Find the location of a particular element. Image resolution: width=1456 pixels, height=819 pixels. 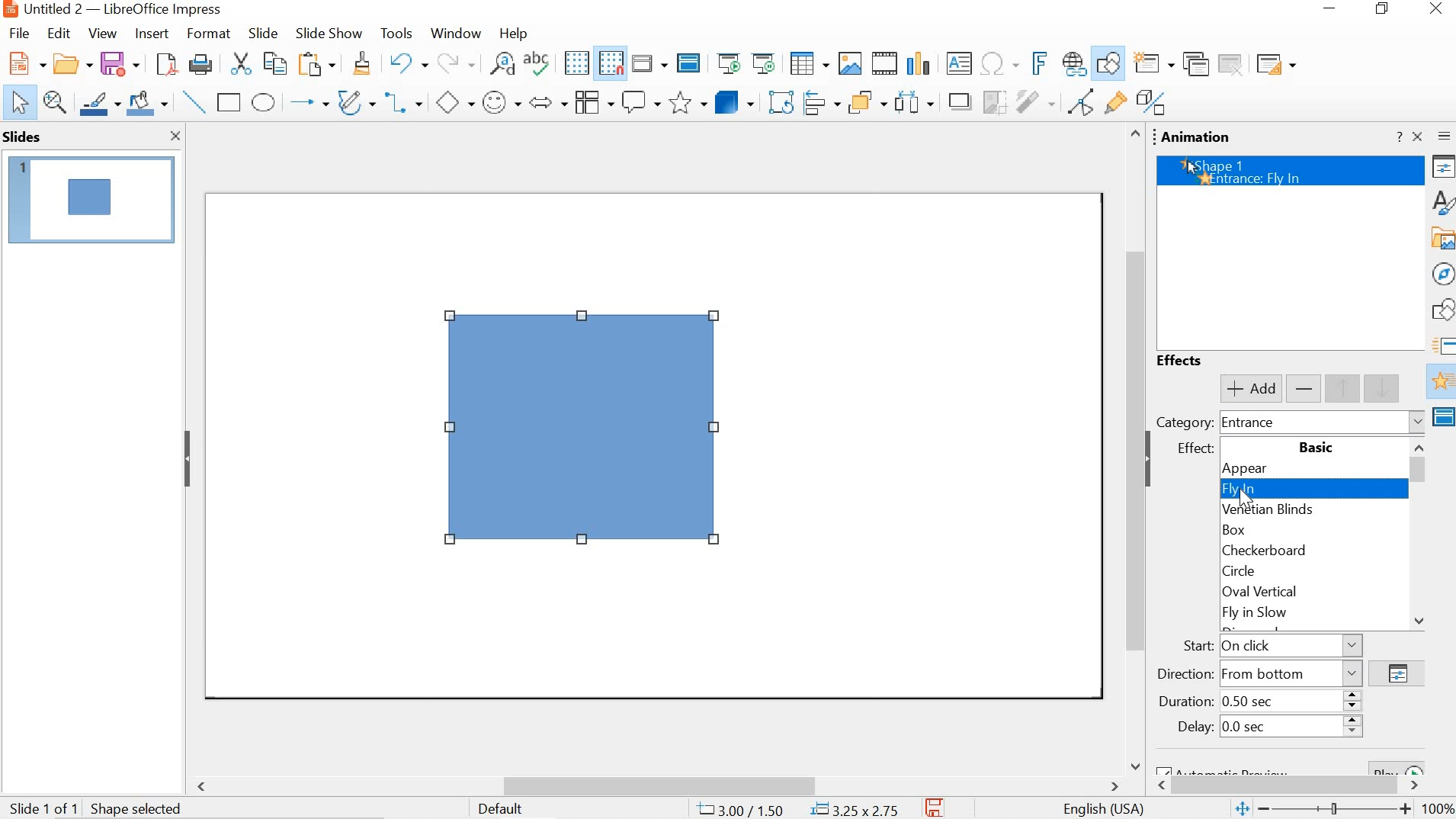

save is located at coordinates (936, 808).